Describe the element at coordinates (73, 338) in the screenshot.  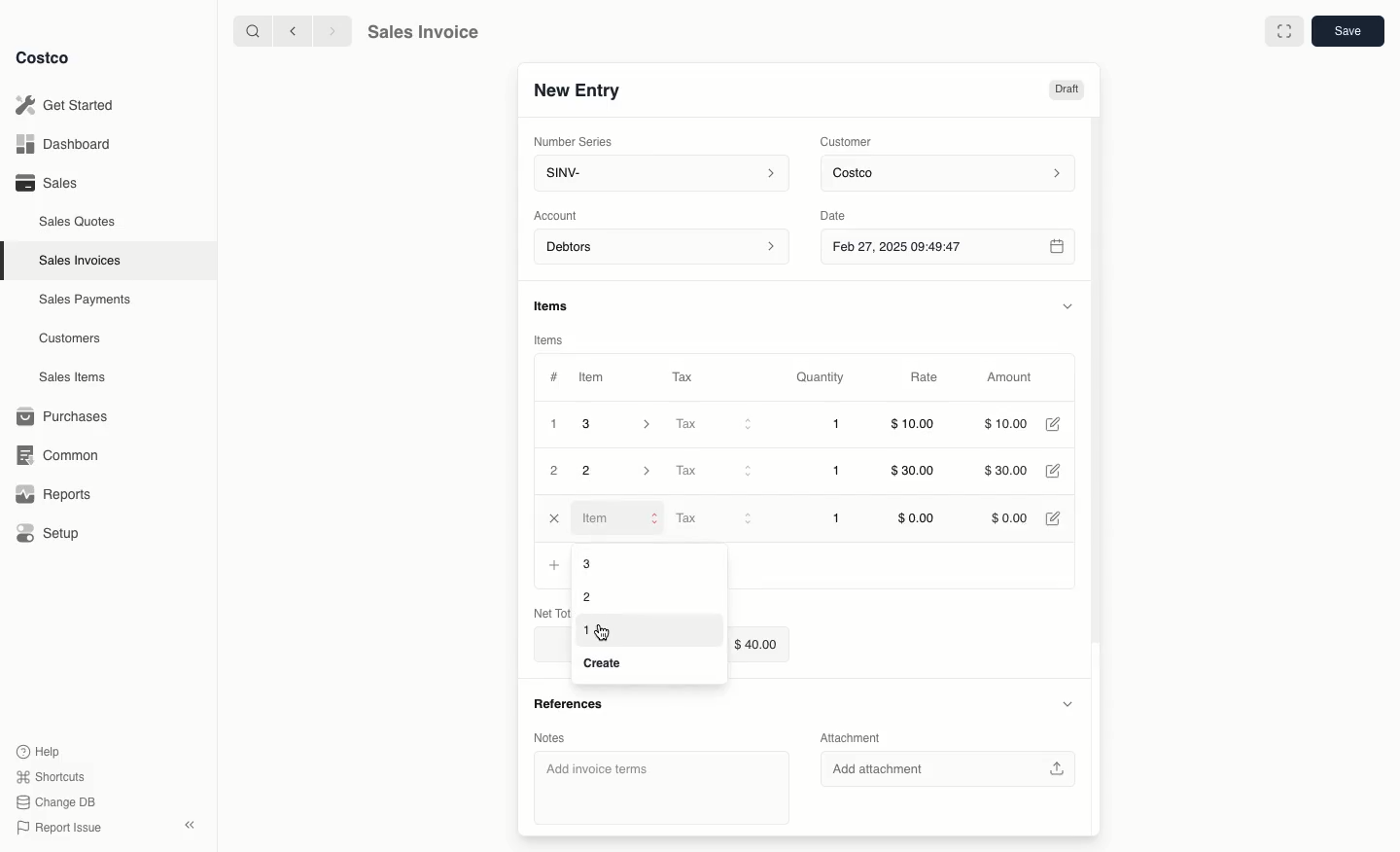
I see `Customers` at that location.